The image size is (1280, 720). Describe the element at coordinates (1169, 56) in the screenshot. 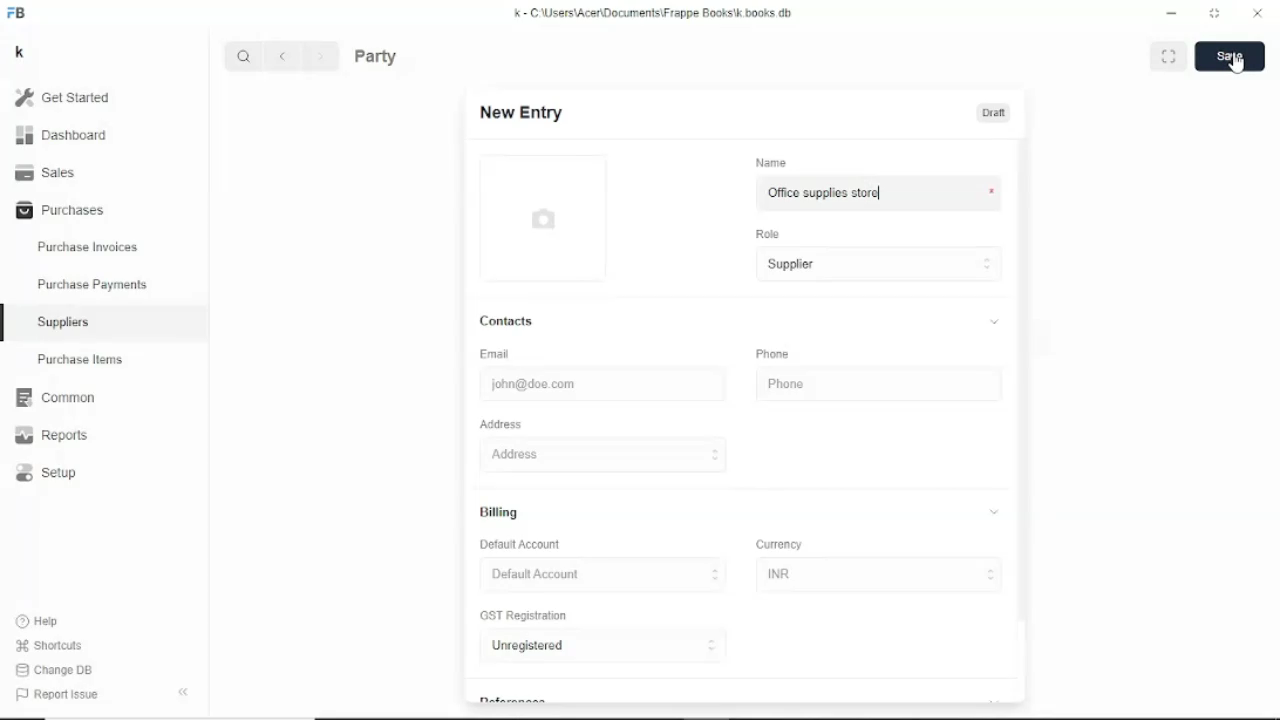

I see `Toggle between form and full width` at that location.